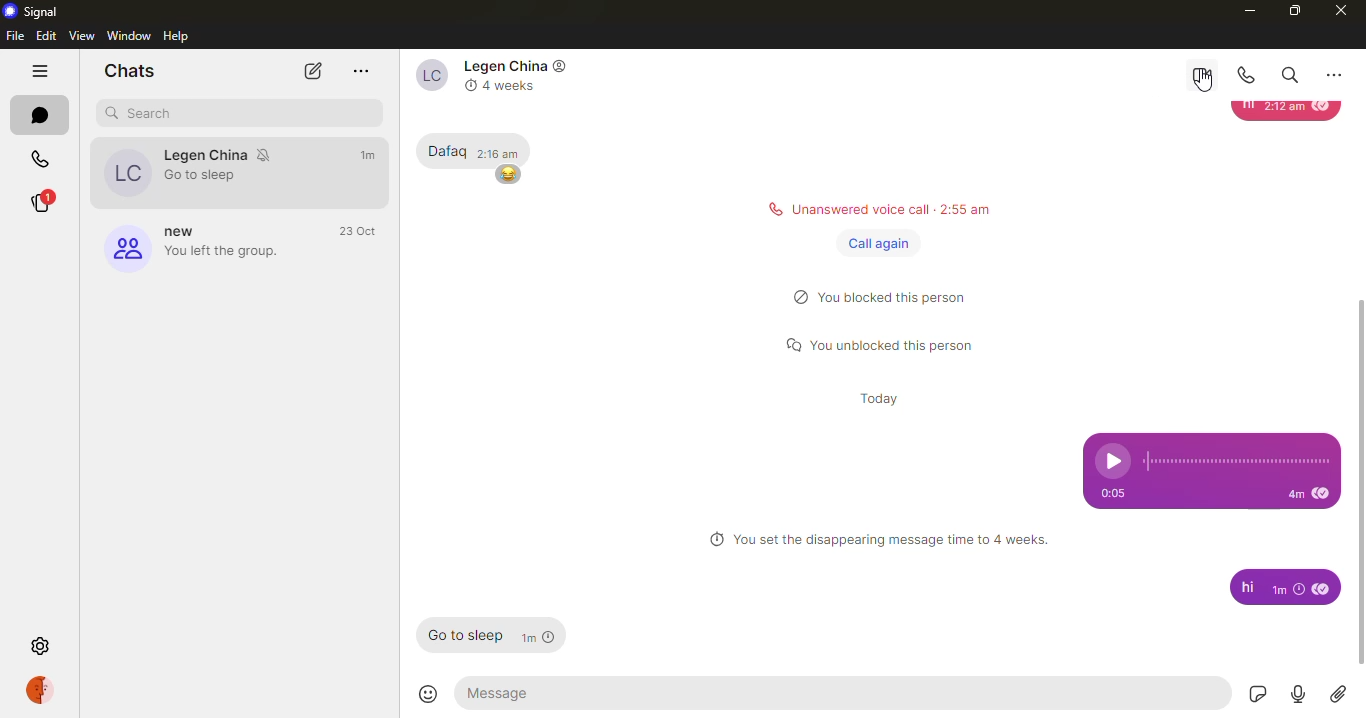 This screenshot has height=718, width=1366. Describe the element at coordinates (178, 37) in the screenshot. I see `help` at that location.